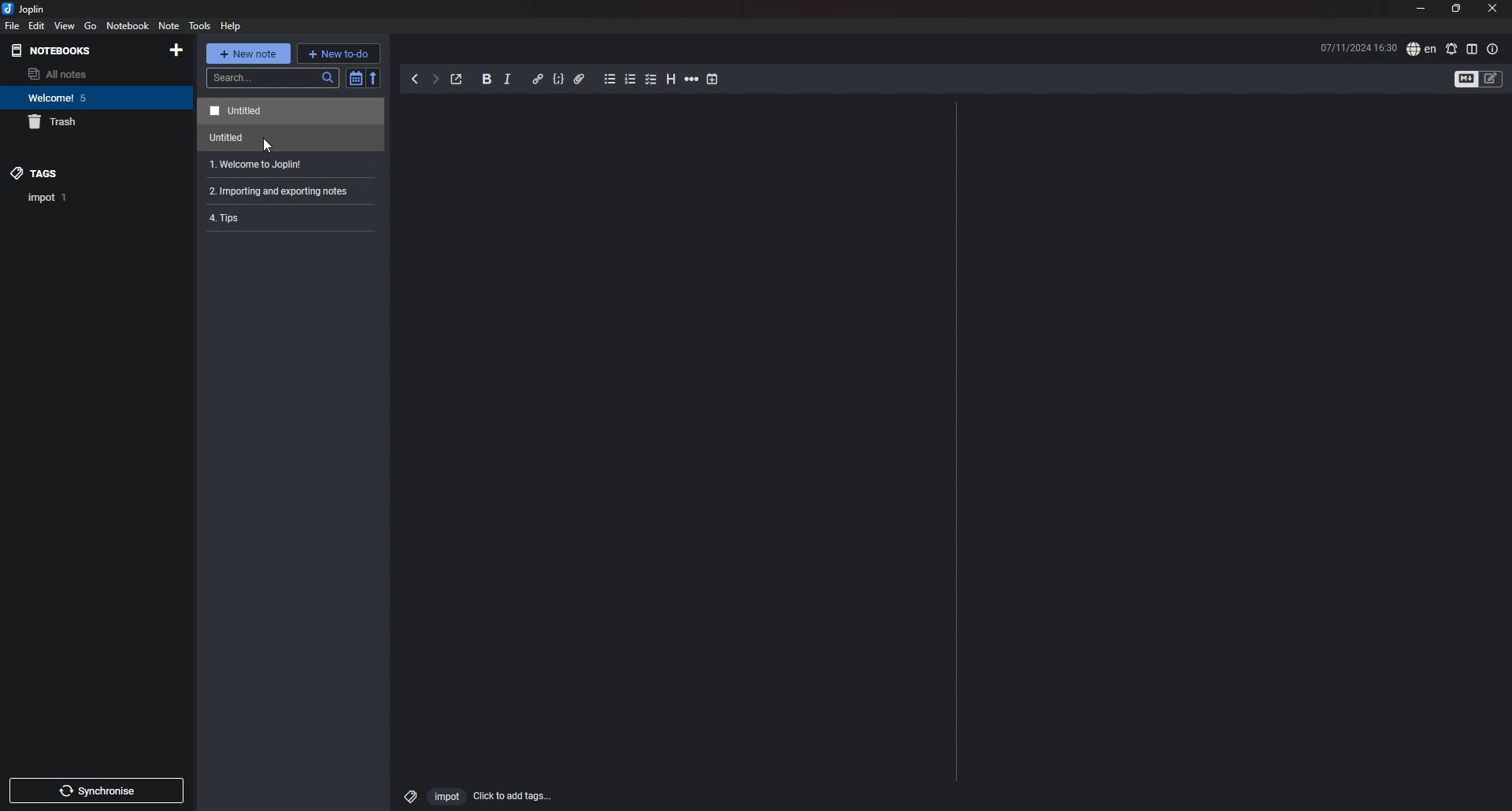 The height and width of the screenshot is (811, 1512). What do you see at coordinates (1451, 49) in the screenshot?
I see `spell check` at bounding box center [1451, 49].